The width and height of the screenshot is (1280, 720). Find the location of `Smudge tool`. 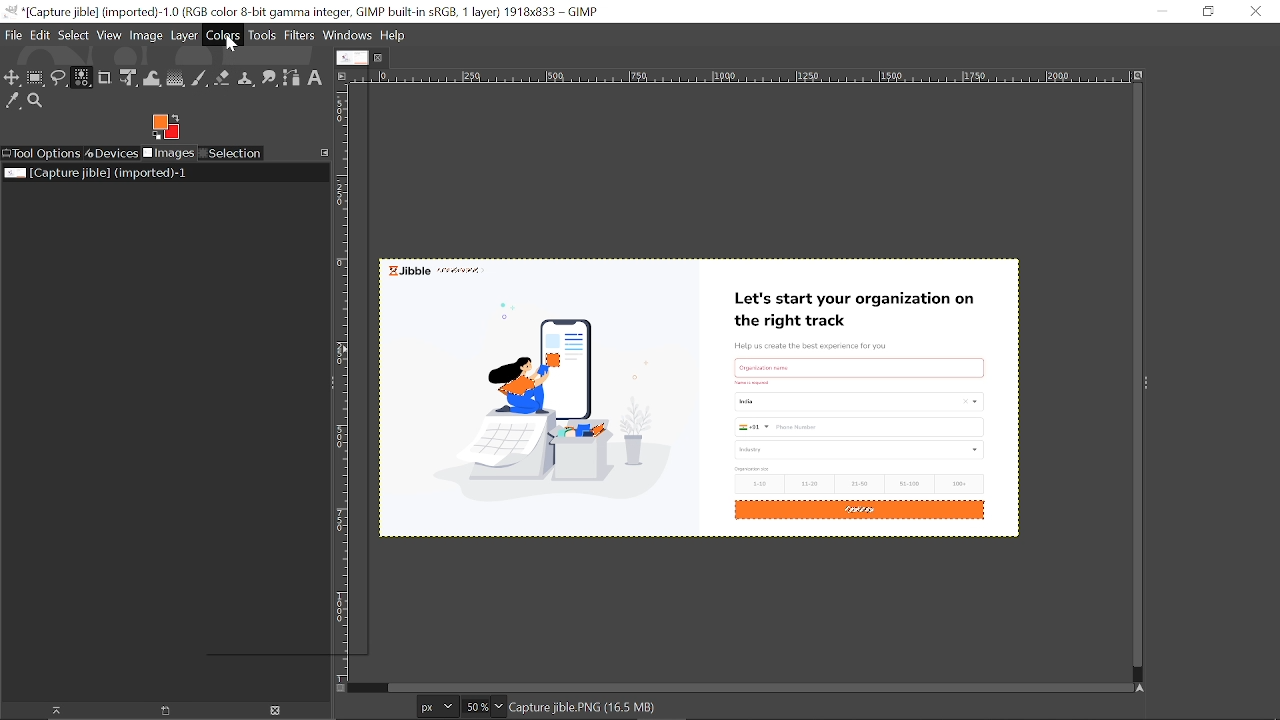

Smudge tool is located at coordinates (269, 78).